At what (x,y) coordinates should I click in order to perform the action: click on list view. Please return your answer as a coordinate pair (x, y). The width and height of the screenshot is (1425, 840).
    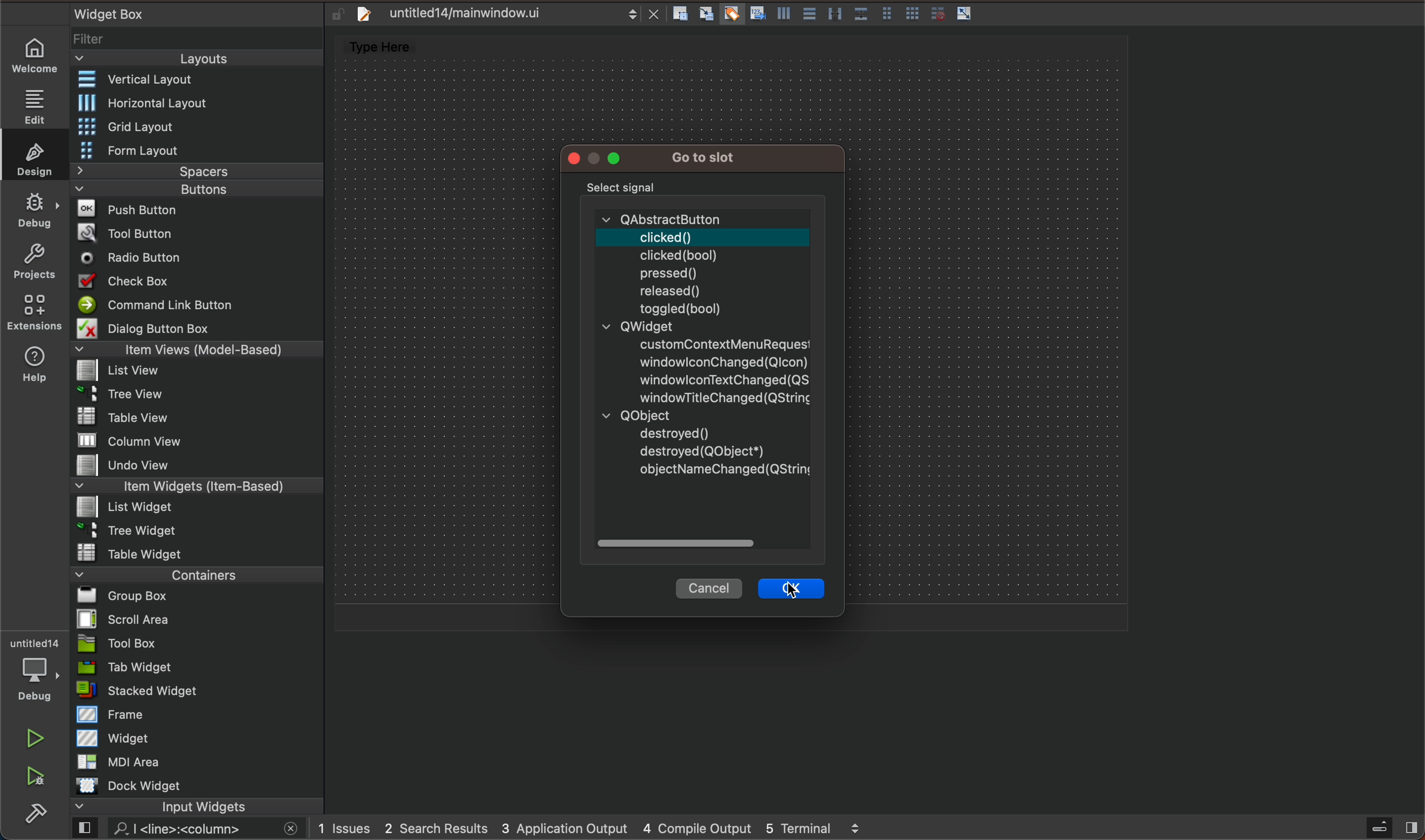
    Looking at the image, I should click on (203, 372).